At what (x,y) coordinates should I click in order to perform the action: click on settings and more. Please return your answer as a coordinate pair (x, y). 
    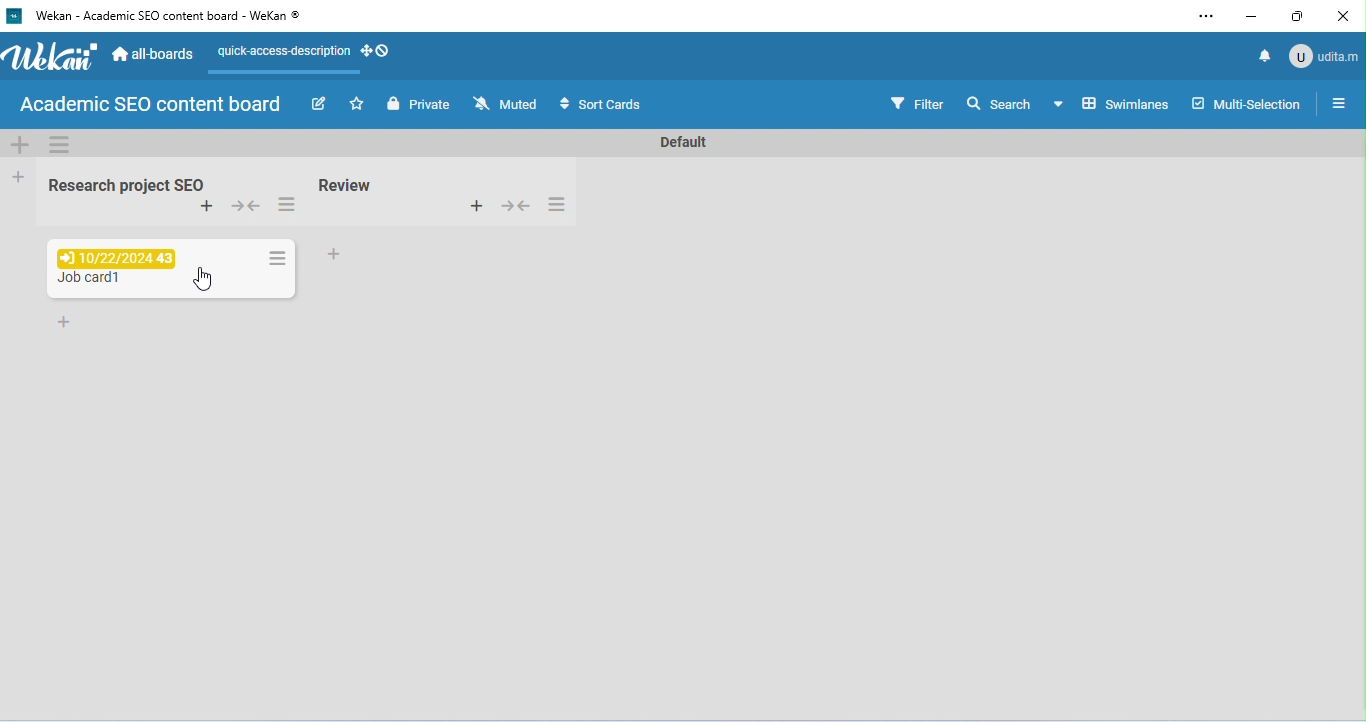
    Looking at the image, I should click on (1205, 17).